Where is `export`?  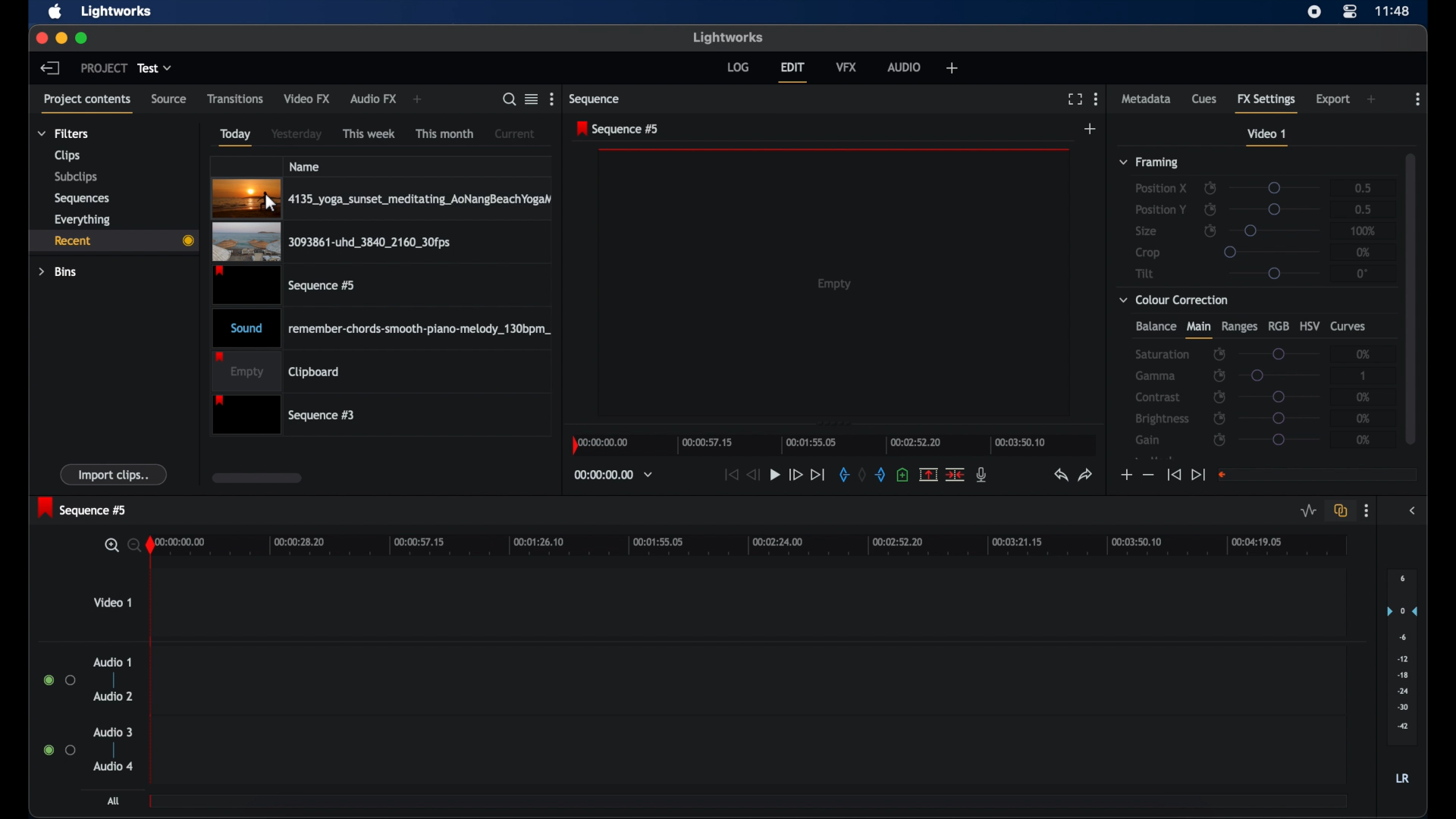
export is located at coordinates (1333, 99).